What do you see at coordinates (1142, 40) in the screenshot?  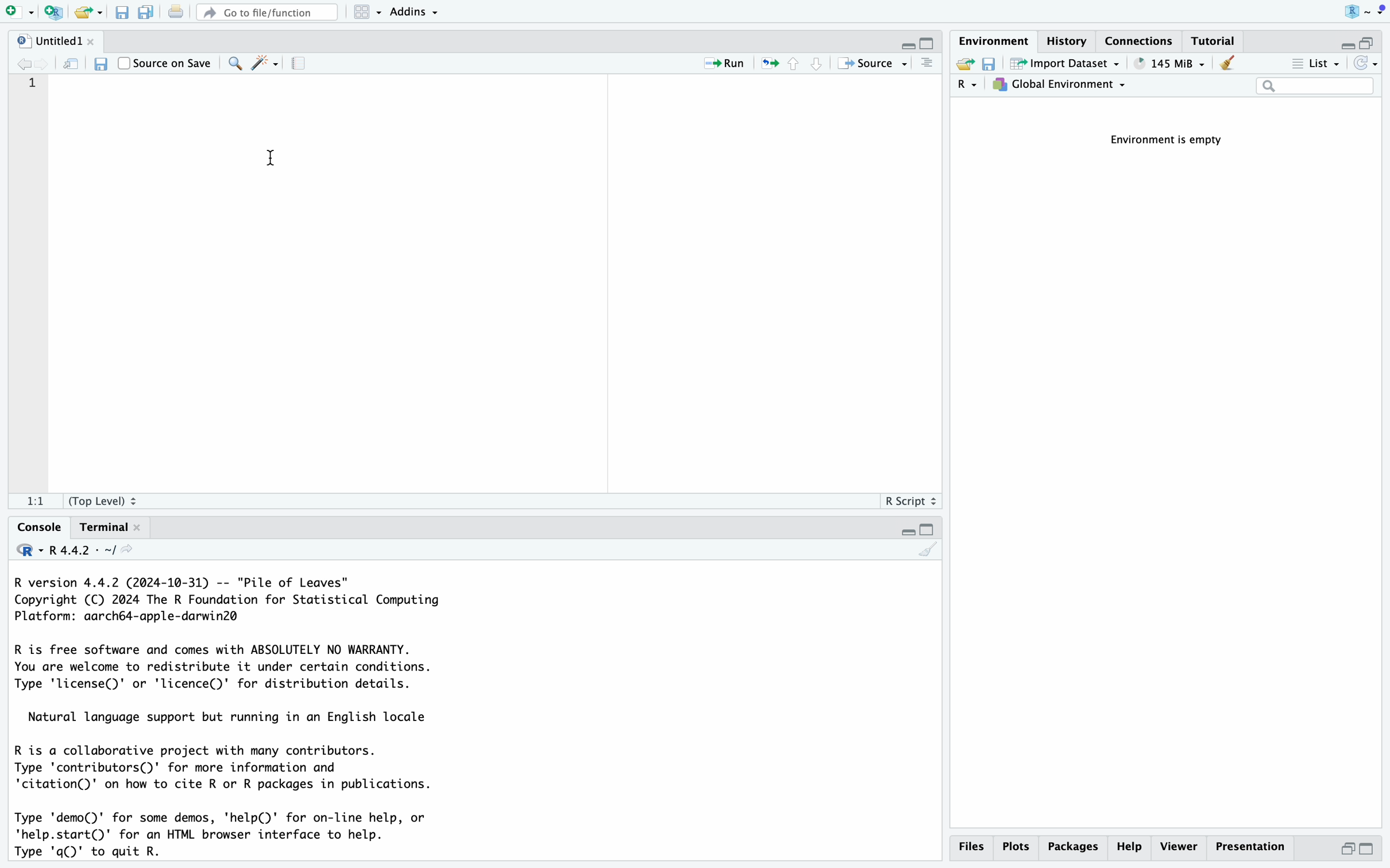 I see `connections` at bounding box center [1142, 40].